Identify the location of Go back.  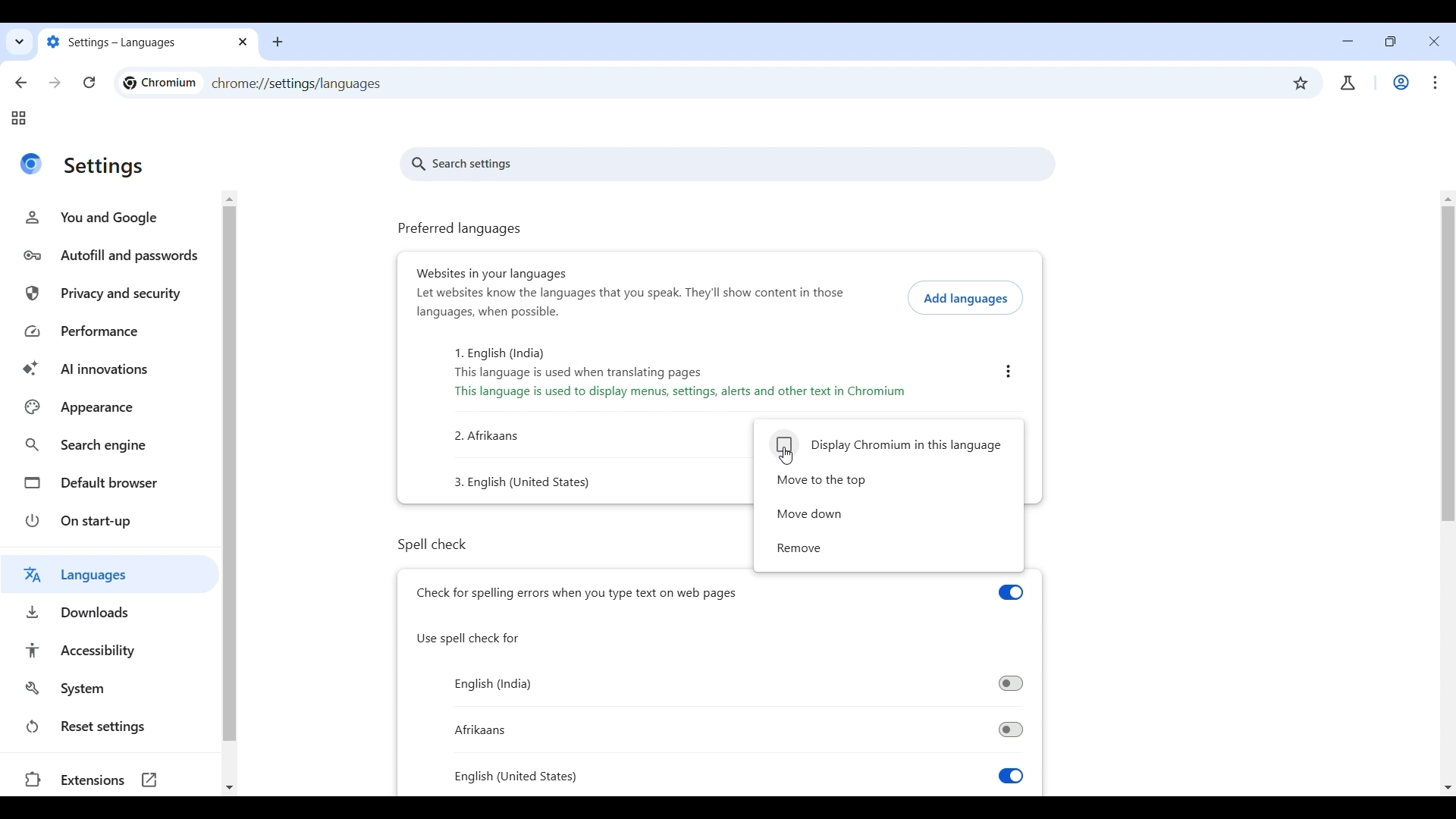
(22, 83).